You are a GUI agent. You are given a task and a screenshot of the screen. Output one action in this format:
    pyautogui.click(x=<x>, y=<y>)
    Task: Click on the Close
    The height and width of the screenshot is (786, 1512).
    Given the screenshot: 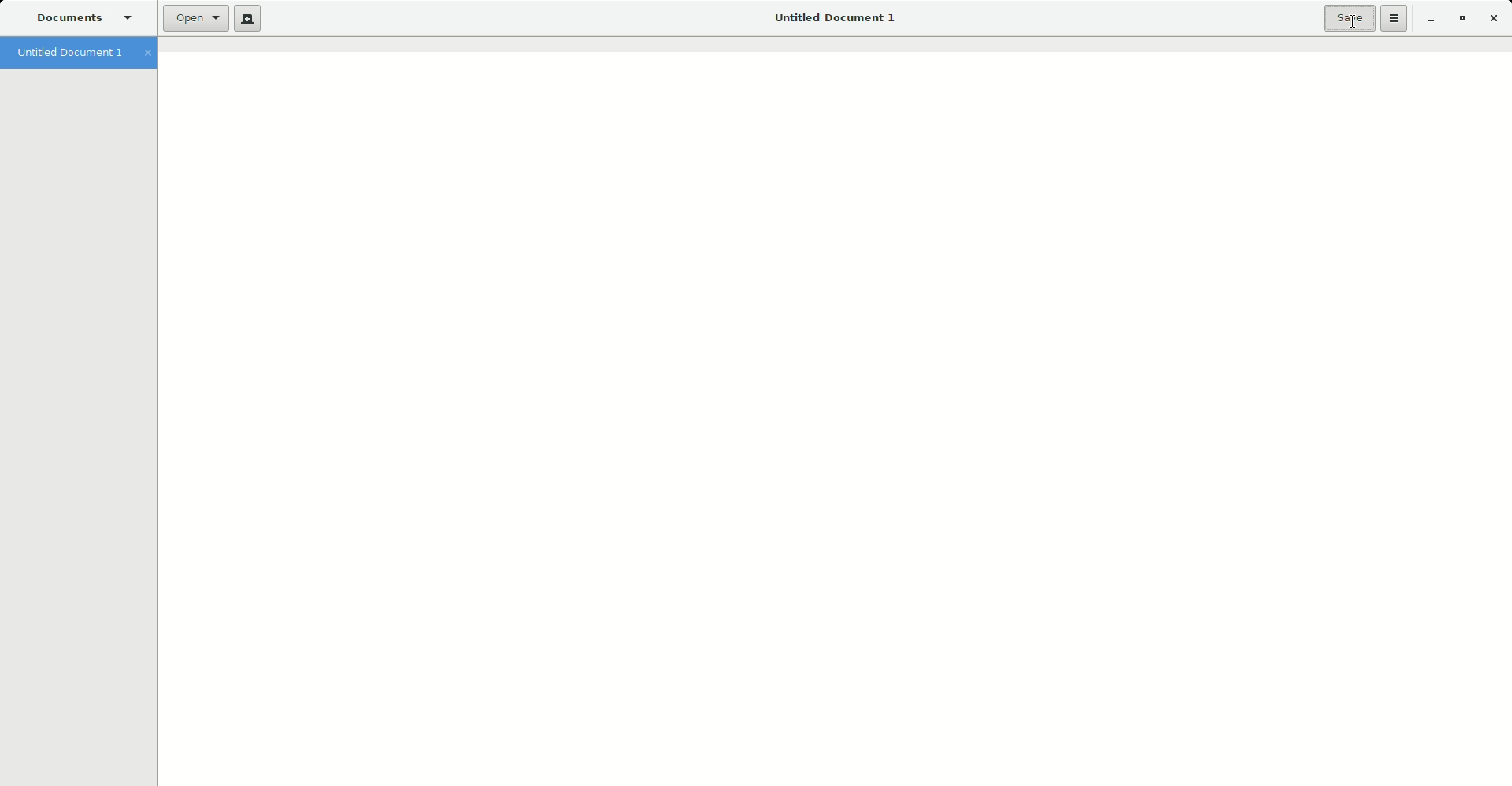 What is the action you would take?
    pyautogui.click(x=1494, y=18)
    